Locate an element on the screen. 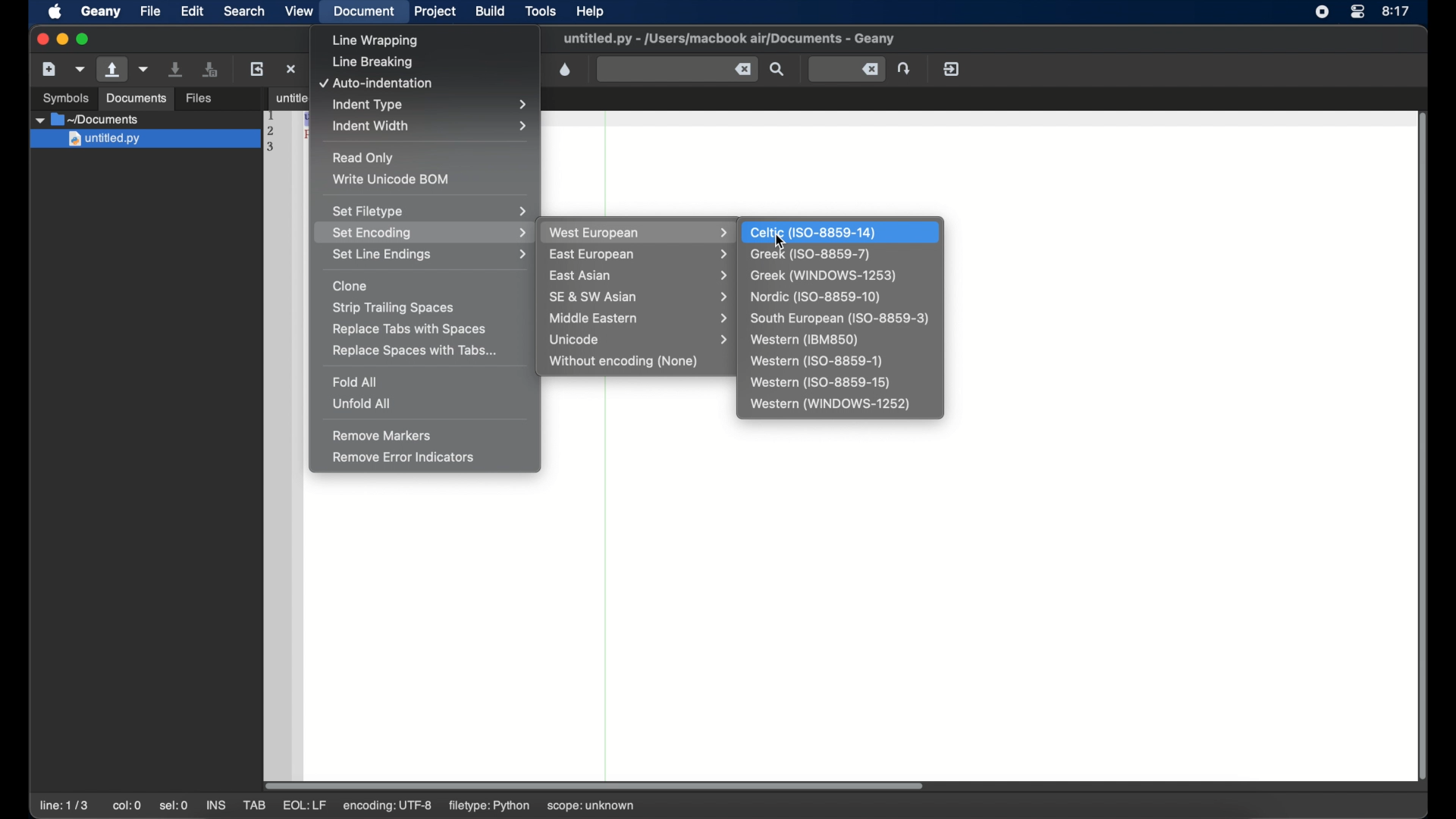  celtic is located at coordinates (814, 232).